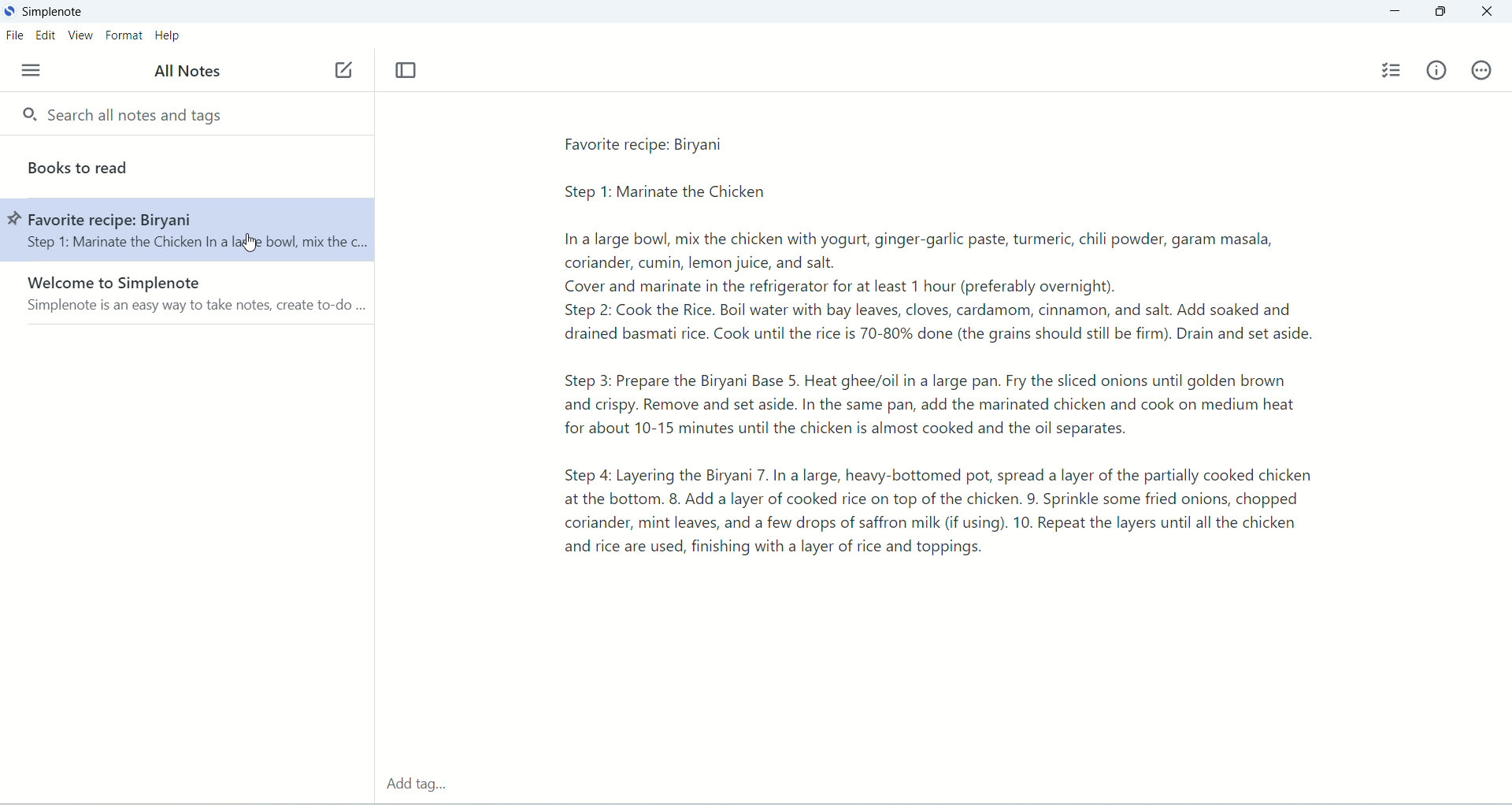 Image resolution: width=1512 pixels, height=805 pixels. What do you see at coordinates (13, 38) in the screenshot?
I see `file` at bounding box center [13, 38].